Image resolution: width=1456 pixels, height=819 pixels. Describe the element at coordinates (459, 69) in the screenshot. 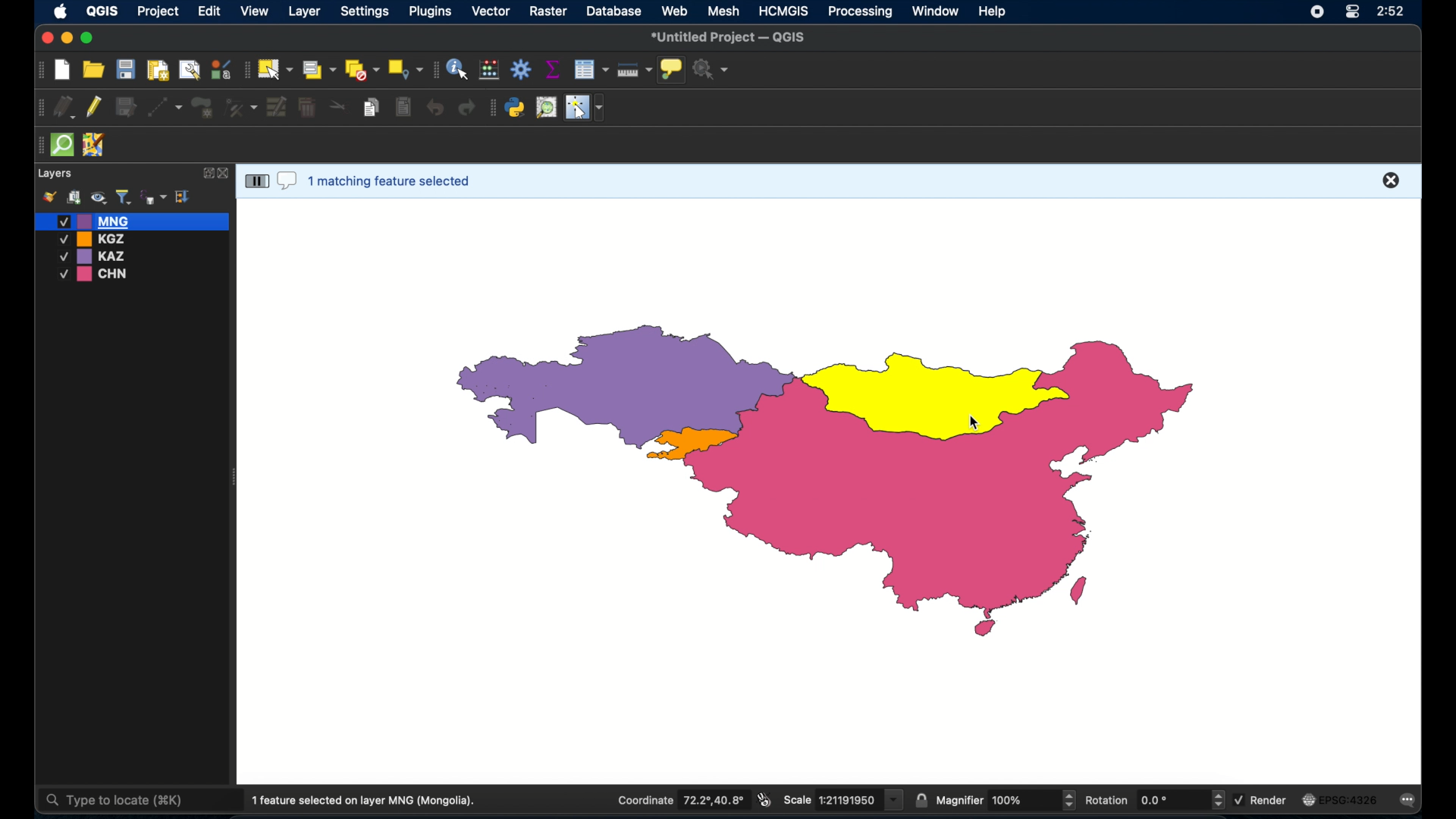

I see `identify feature` at that location.